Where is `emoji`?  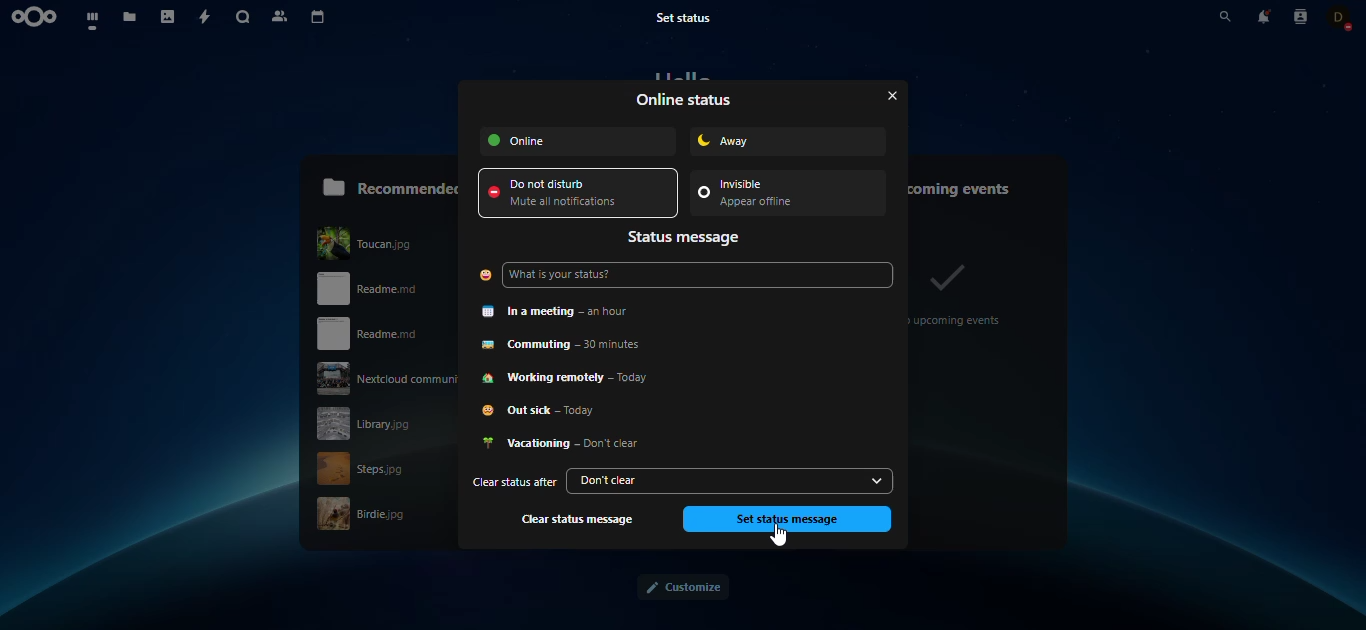
emoji is located at coordinates (484, 275).